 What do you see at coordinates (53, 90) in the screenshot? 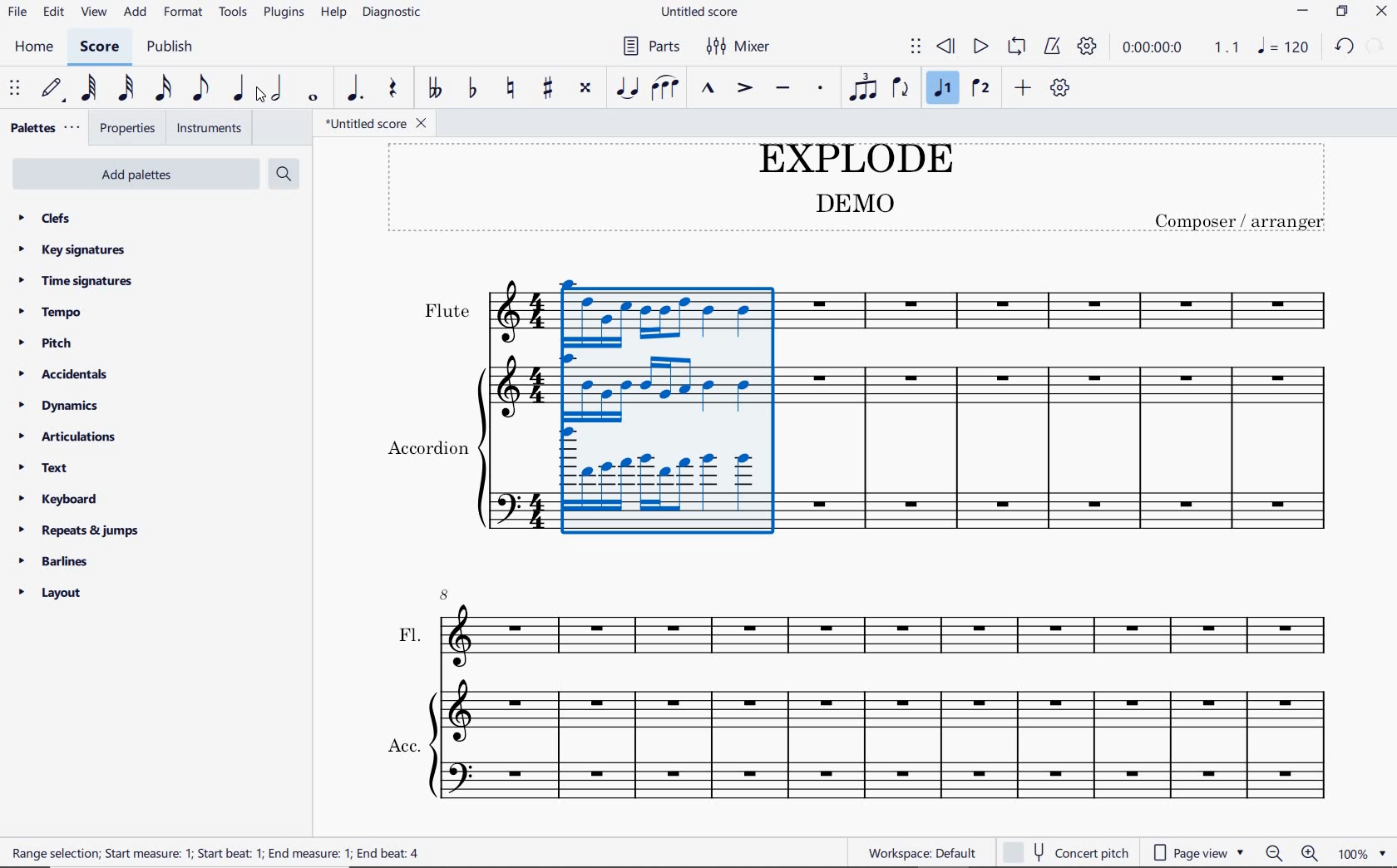
I see `default (step time)` at bounding box center [53, 90].